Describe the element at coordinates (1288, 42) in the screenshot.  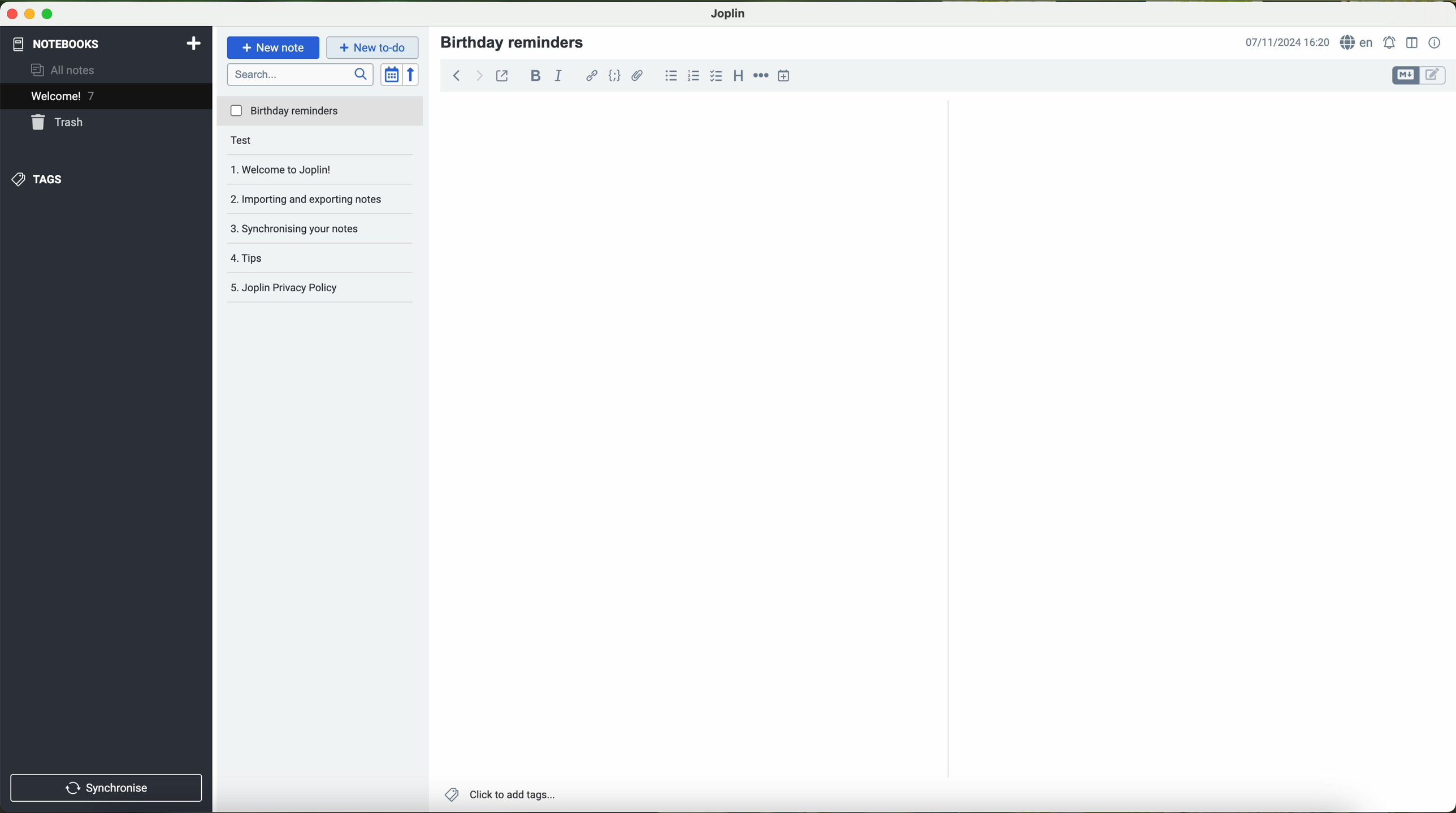
I see `date and hour` at that location.